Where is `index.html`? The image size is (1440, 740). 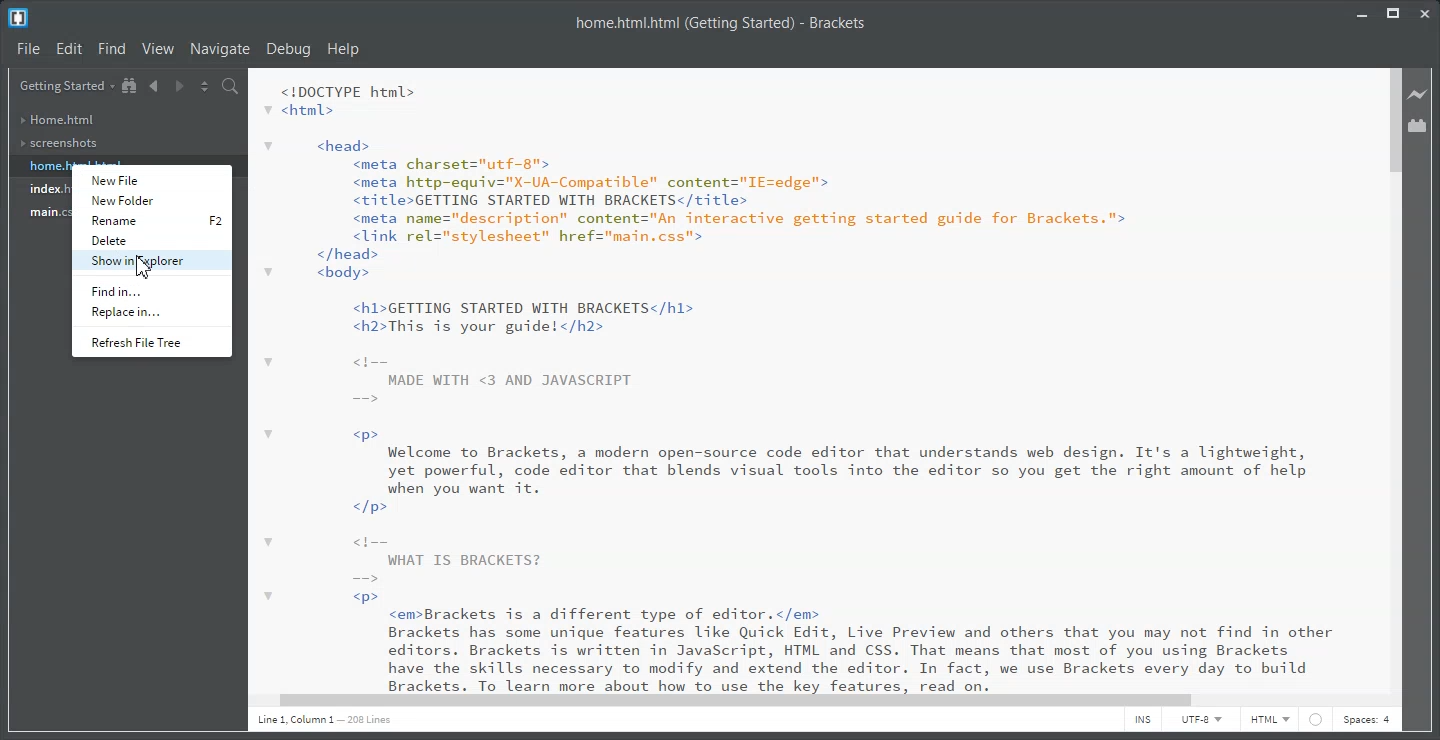 index.html is located at coordinates (45, 190).